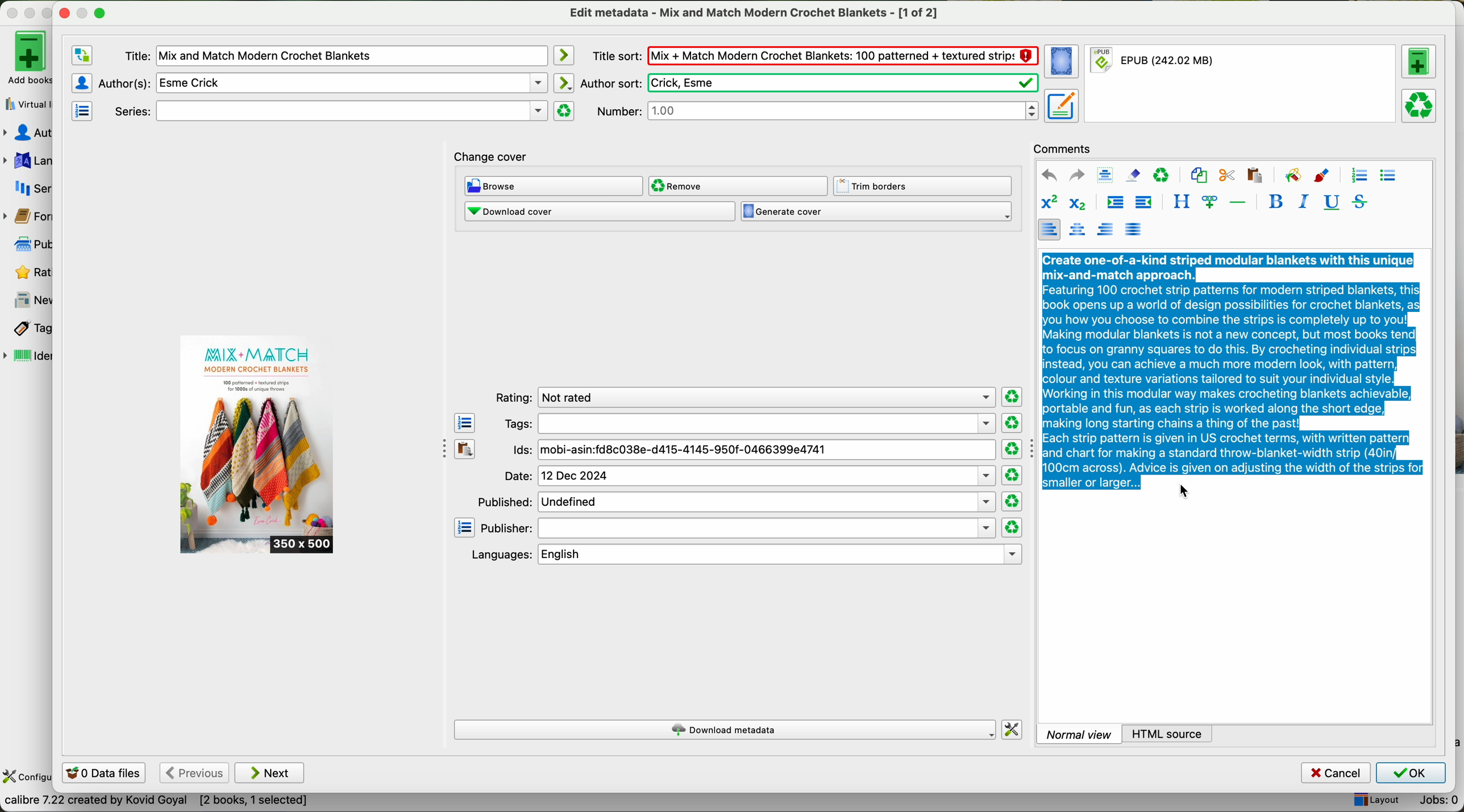 Image resolution: width=1464 pixels, height=812 pixels. What do you see at coordinates (270, 773) in the screenshot?
I see `next` at bounding box center [270, 773].